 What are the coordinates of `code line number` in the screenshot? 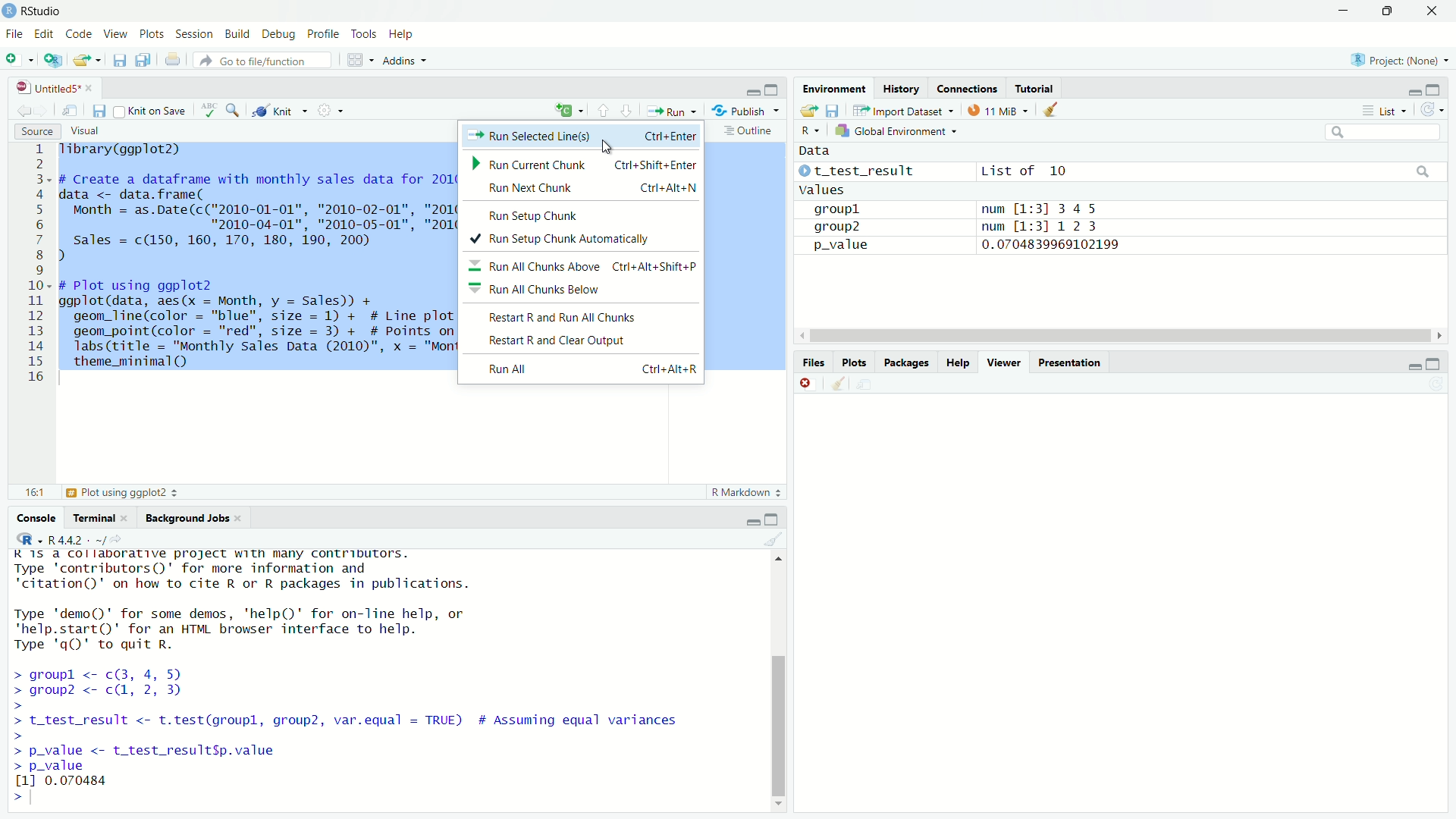 It's located at (39, 265).